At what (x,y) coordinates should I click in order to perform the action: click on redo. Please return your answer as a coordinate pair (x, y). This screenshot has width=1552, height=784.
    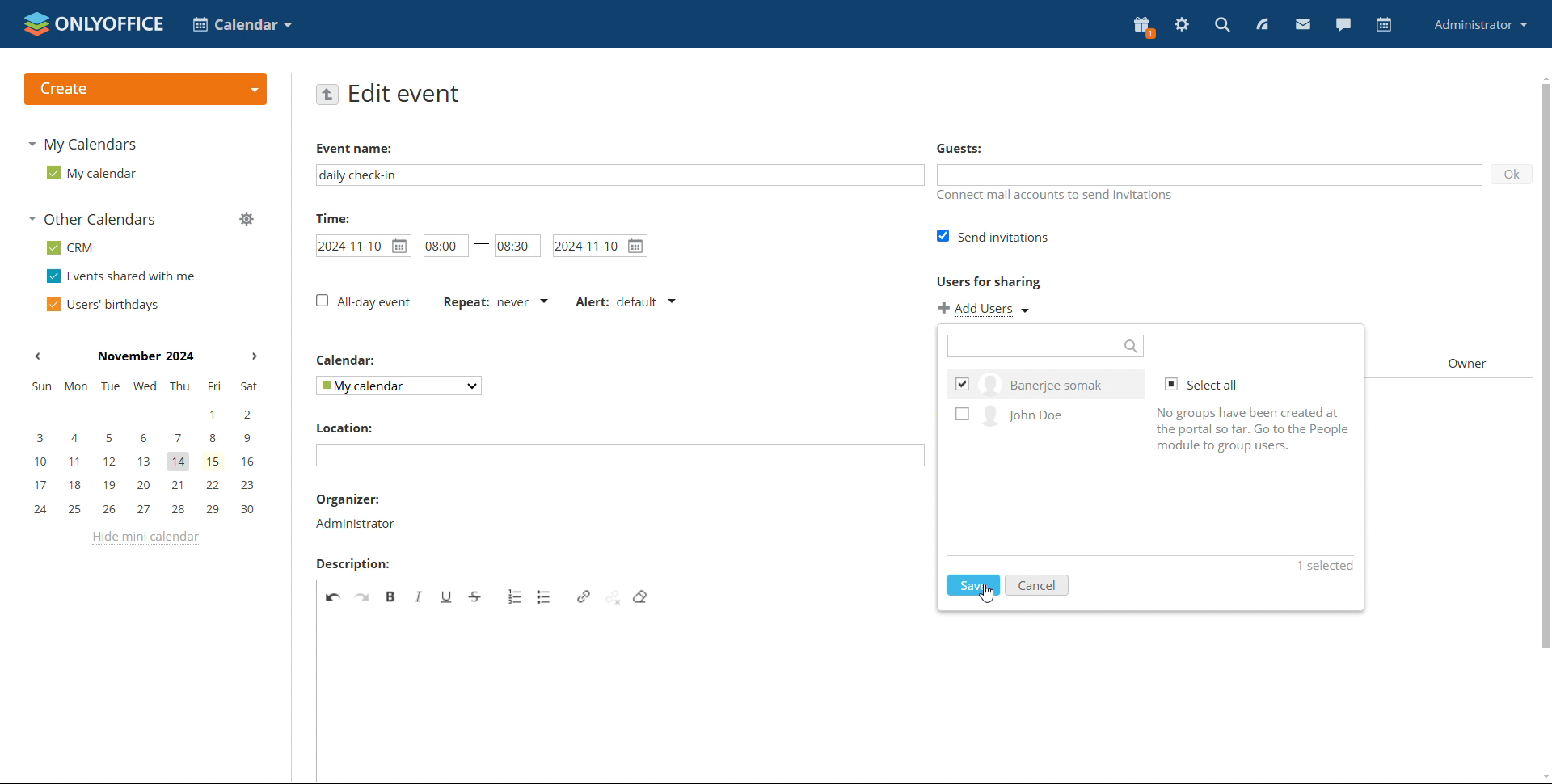
    Looking at the image, I should click on (364, 596).